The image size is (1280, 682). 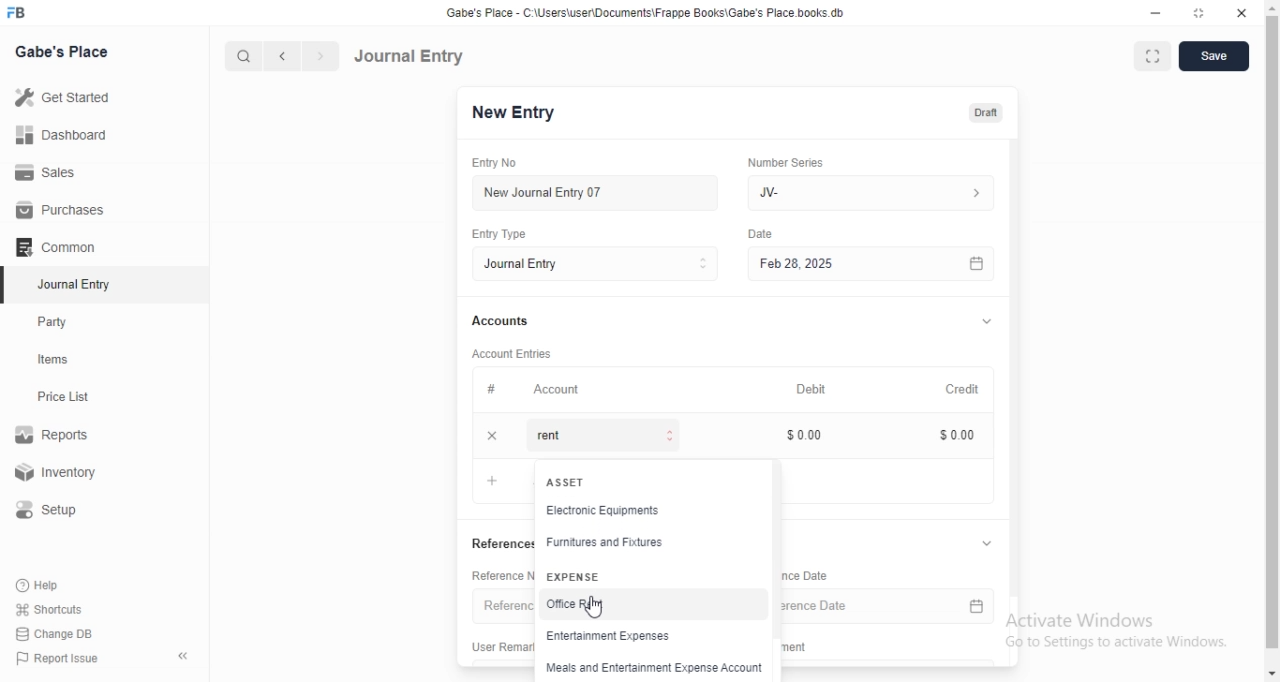 I want to click on + AddRow, so click(x=492, y=480).